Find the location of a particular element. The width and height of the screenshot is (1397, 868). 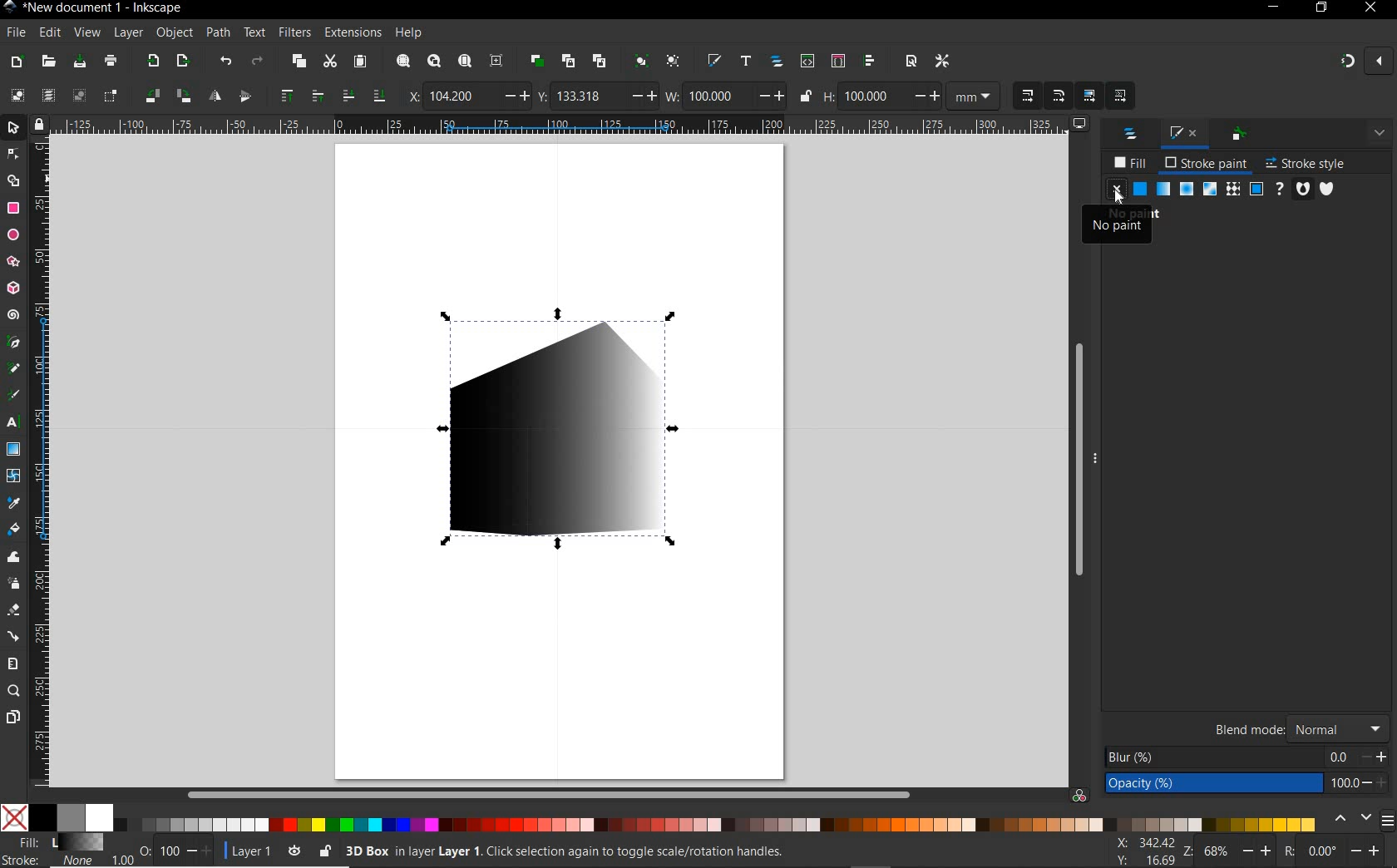

EDIT is located at coordinates (50, 33).